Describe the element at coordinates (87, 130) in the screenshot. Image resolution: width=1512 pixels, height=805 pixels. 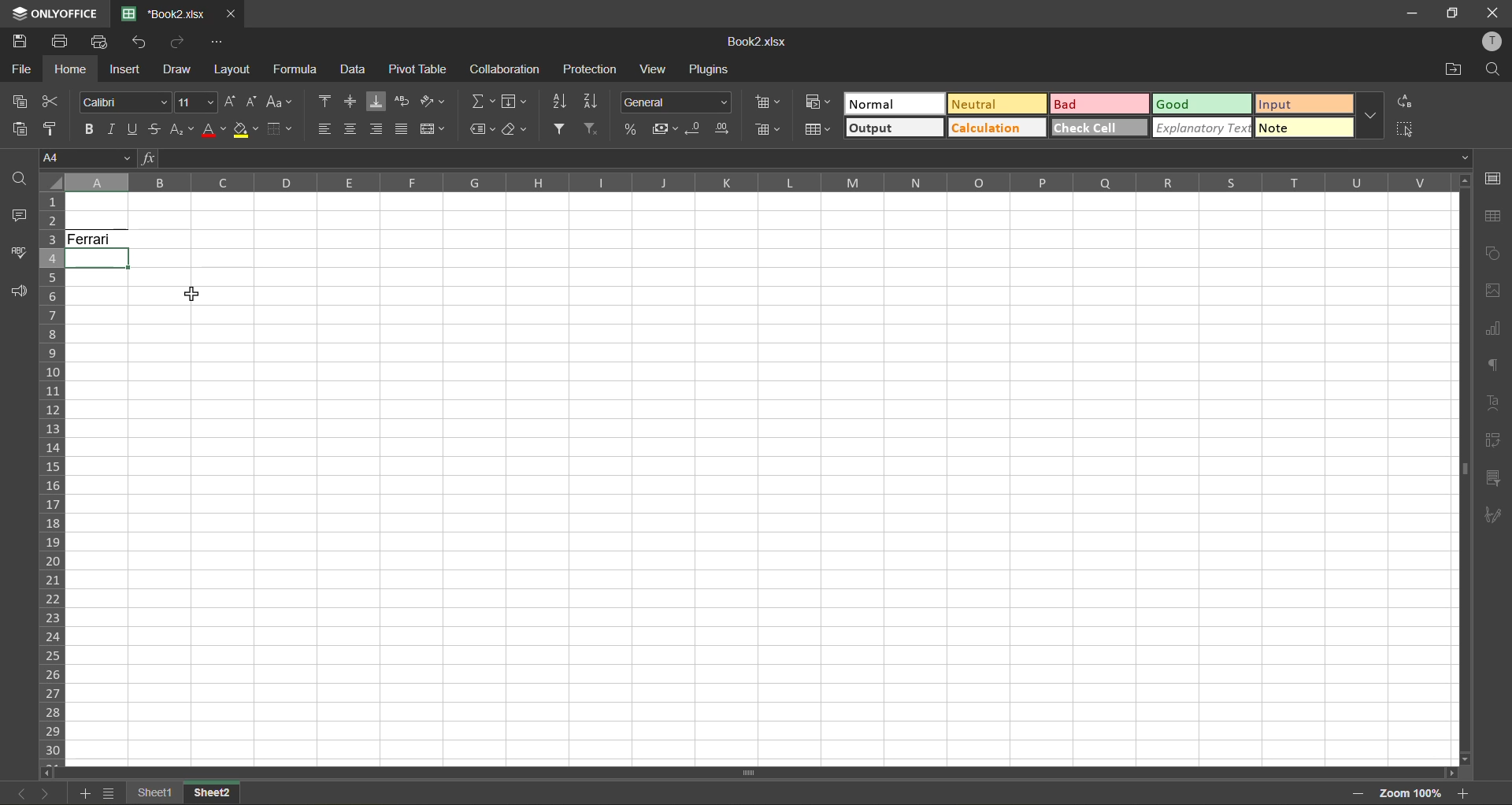
I see `bold` at that location.